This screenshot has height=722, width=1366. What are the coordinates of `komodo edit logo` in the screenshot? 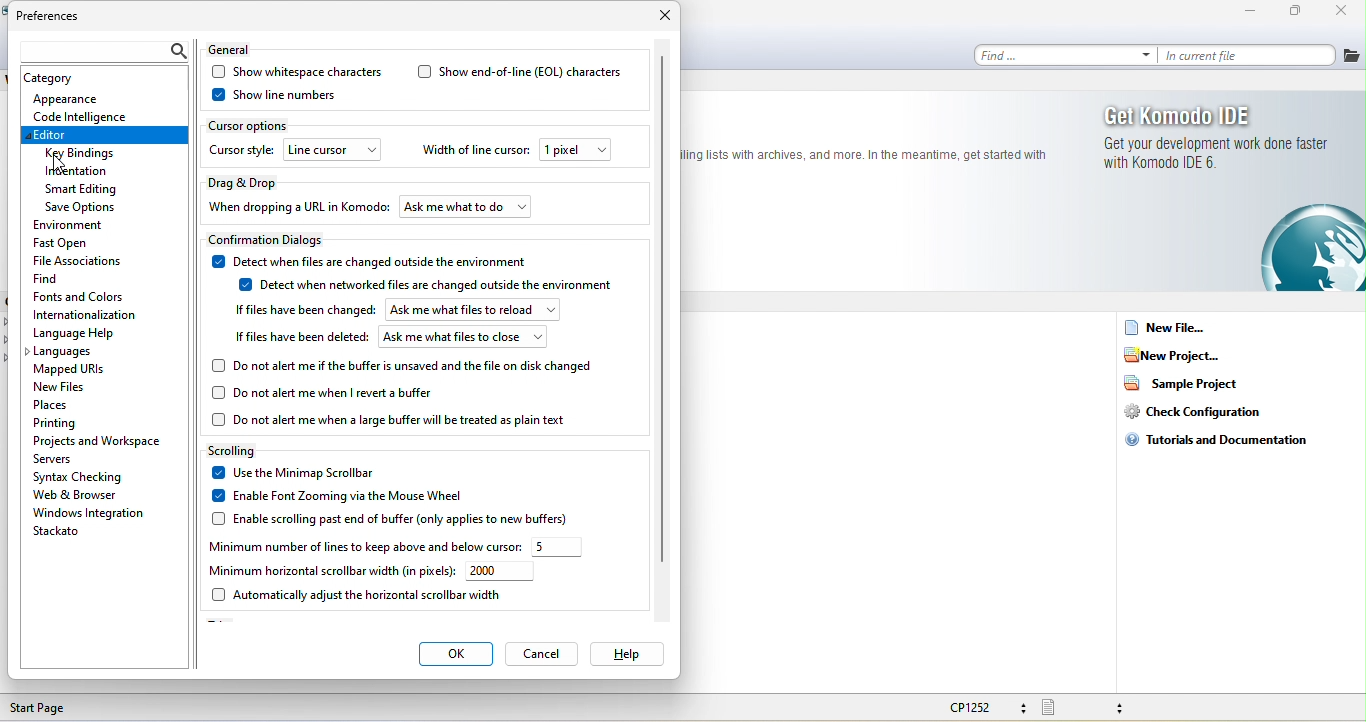 It's located at (1308, 247).